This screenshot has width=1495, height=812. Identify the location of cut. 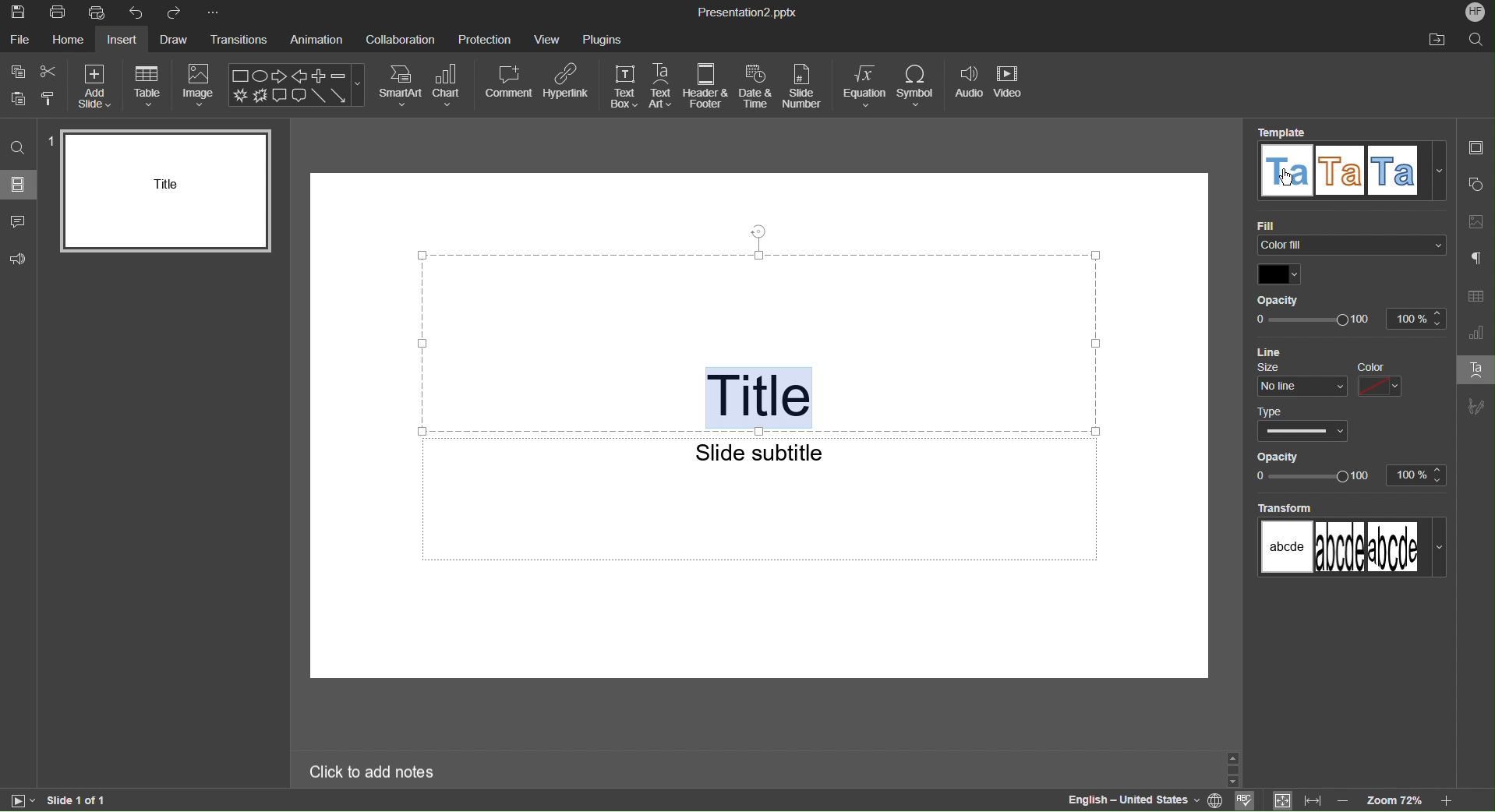
(50, 69).